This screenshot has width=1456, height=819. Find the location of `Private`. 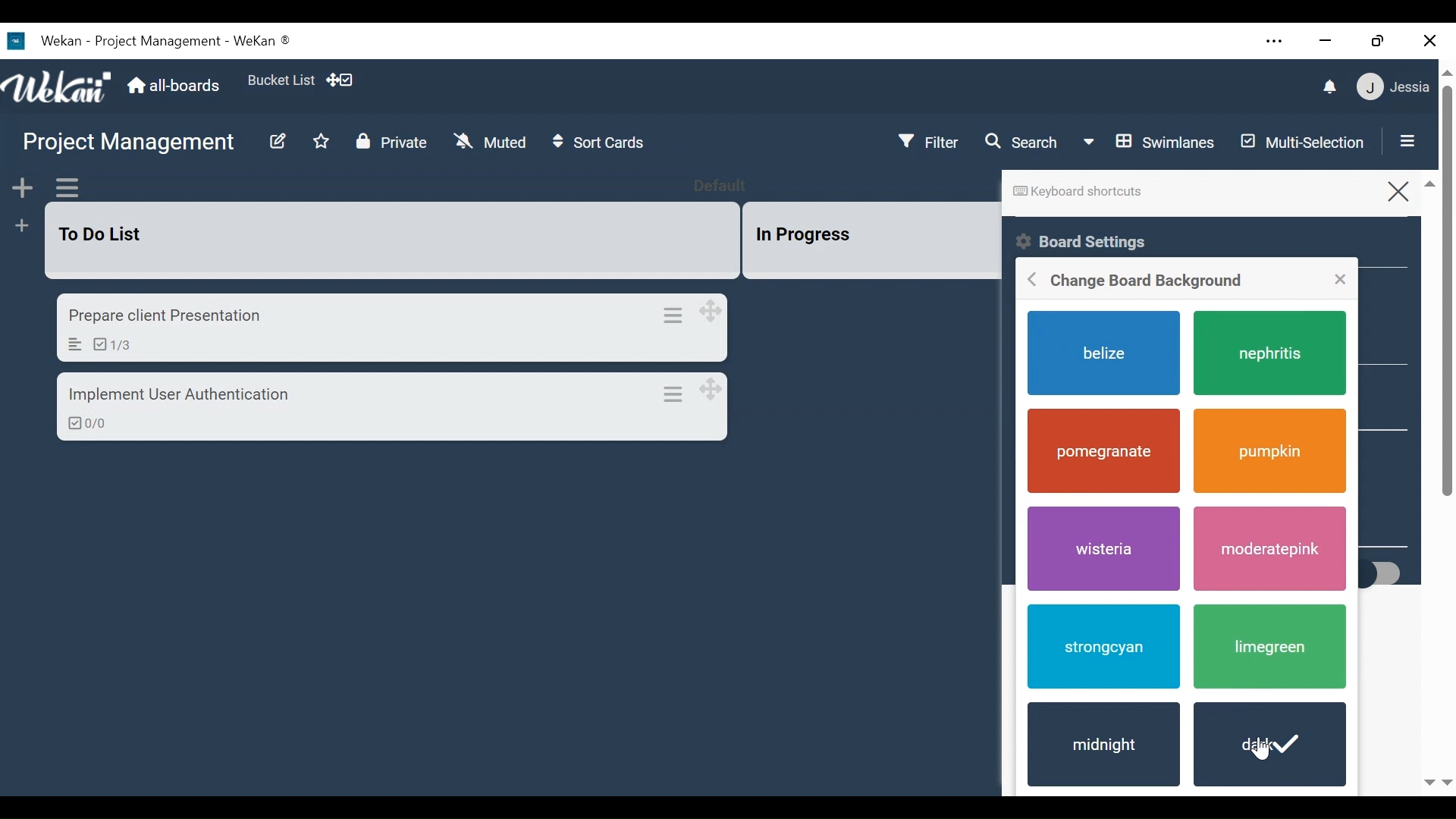

Private is located at coordinates (391, 142).